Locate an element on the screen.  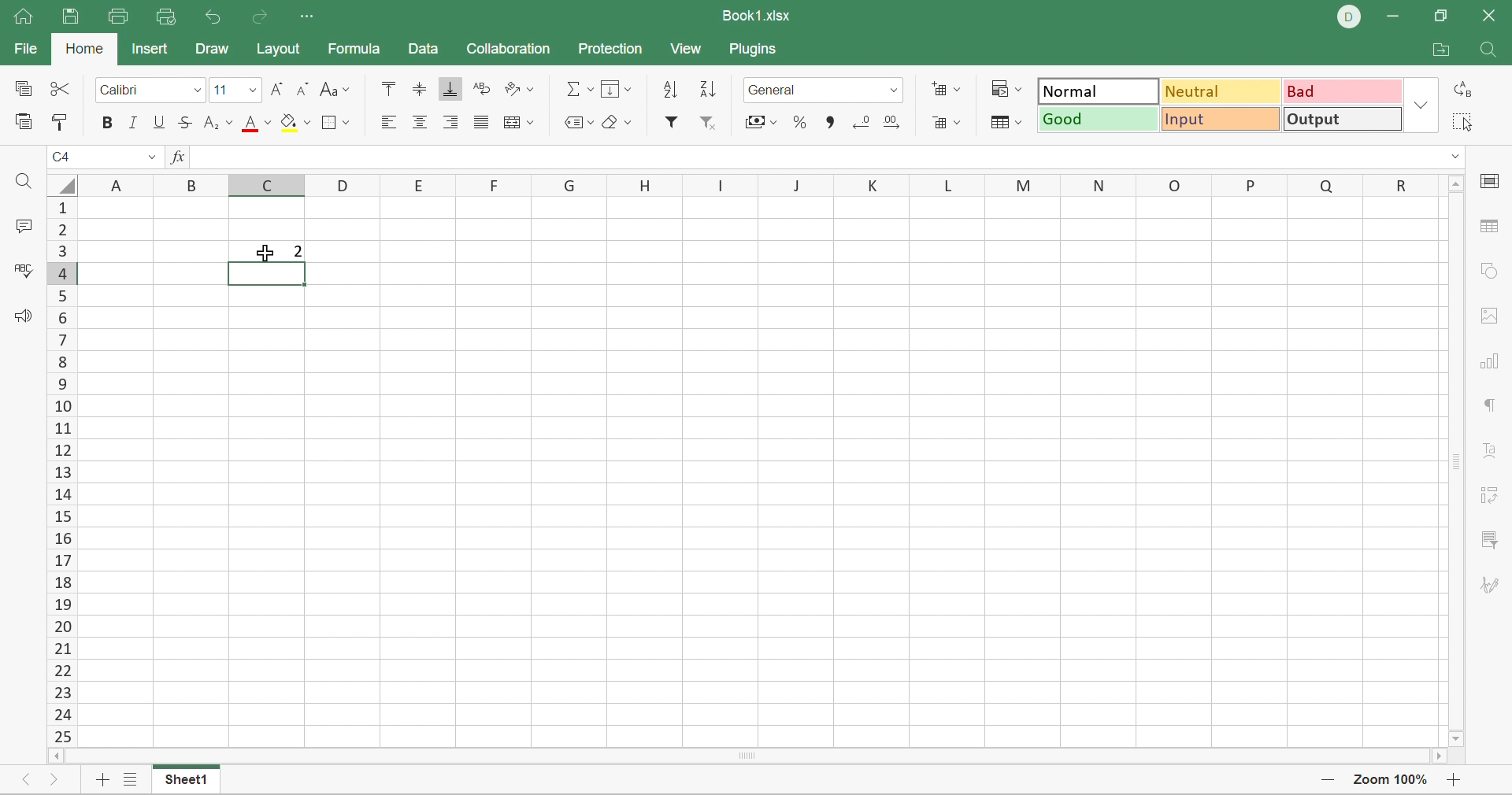
Align Top is located at coordinates (387, 87).